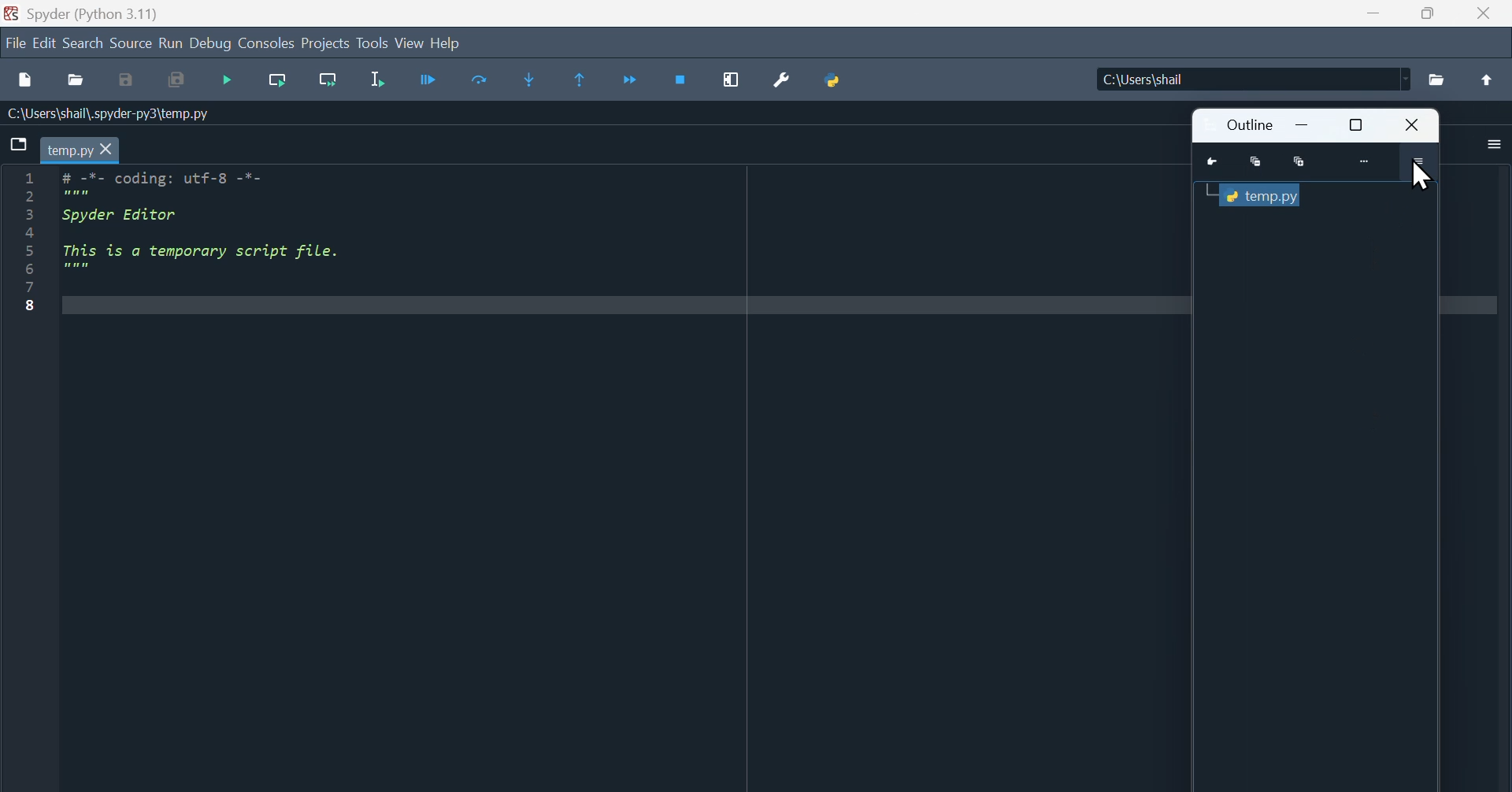 The height and width of the screenshot is (792, 1512). Describe the element at coordinates (577, 79) in the screenshot. I see `Execute until same function returns` at that location.